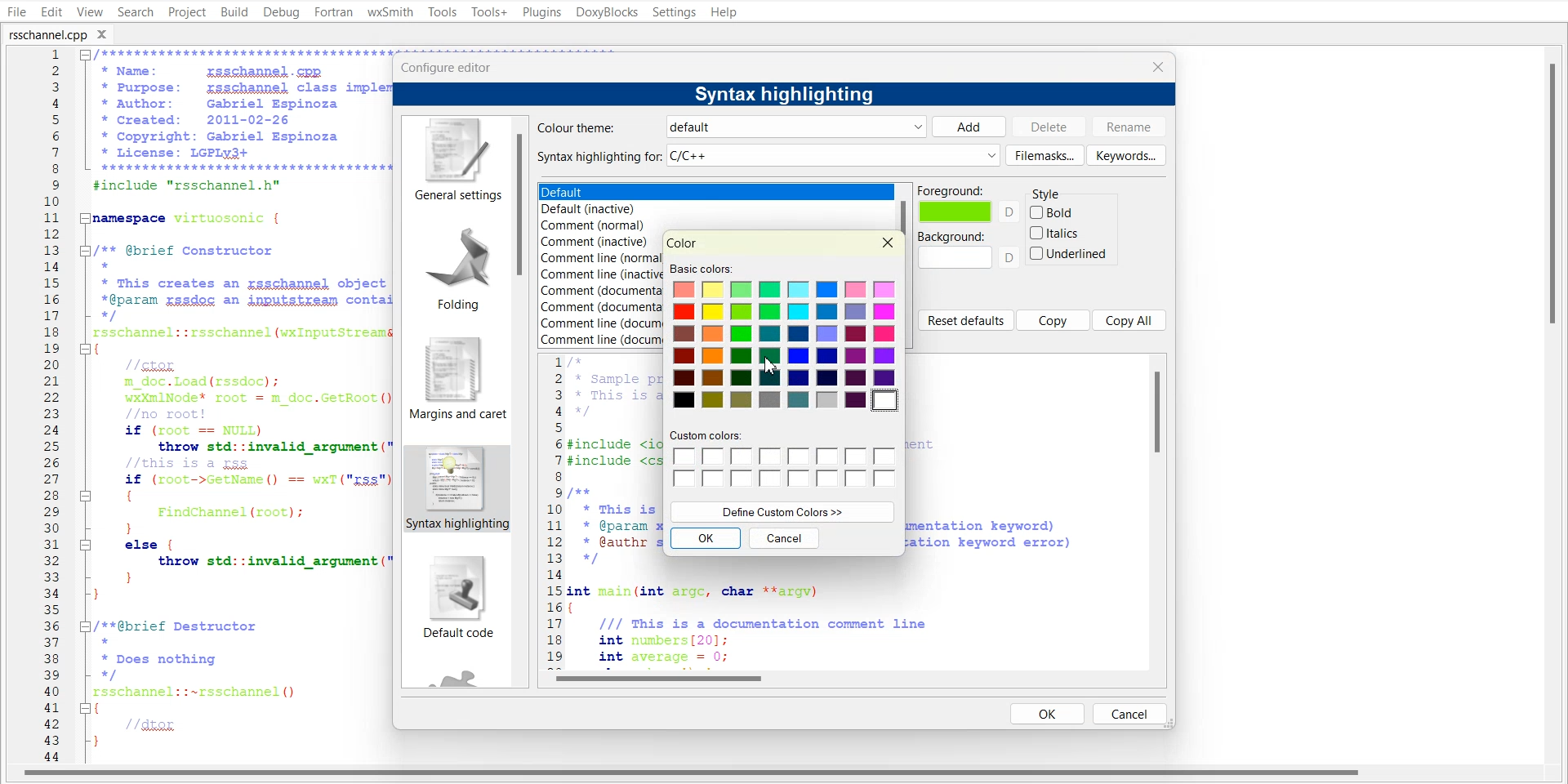 This screenshot has height=784, width=1568. I want to click on Folding, so click(452, 264).